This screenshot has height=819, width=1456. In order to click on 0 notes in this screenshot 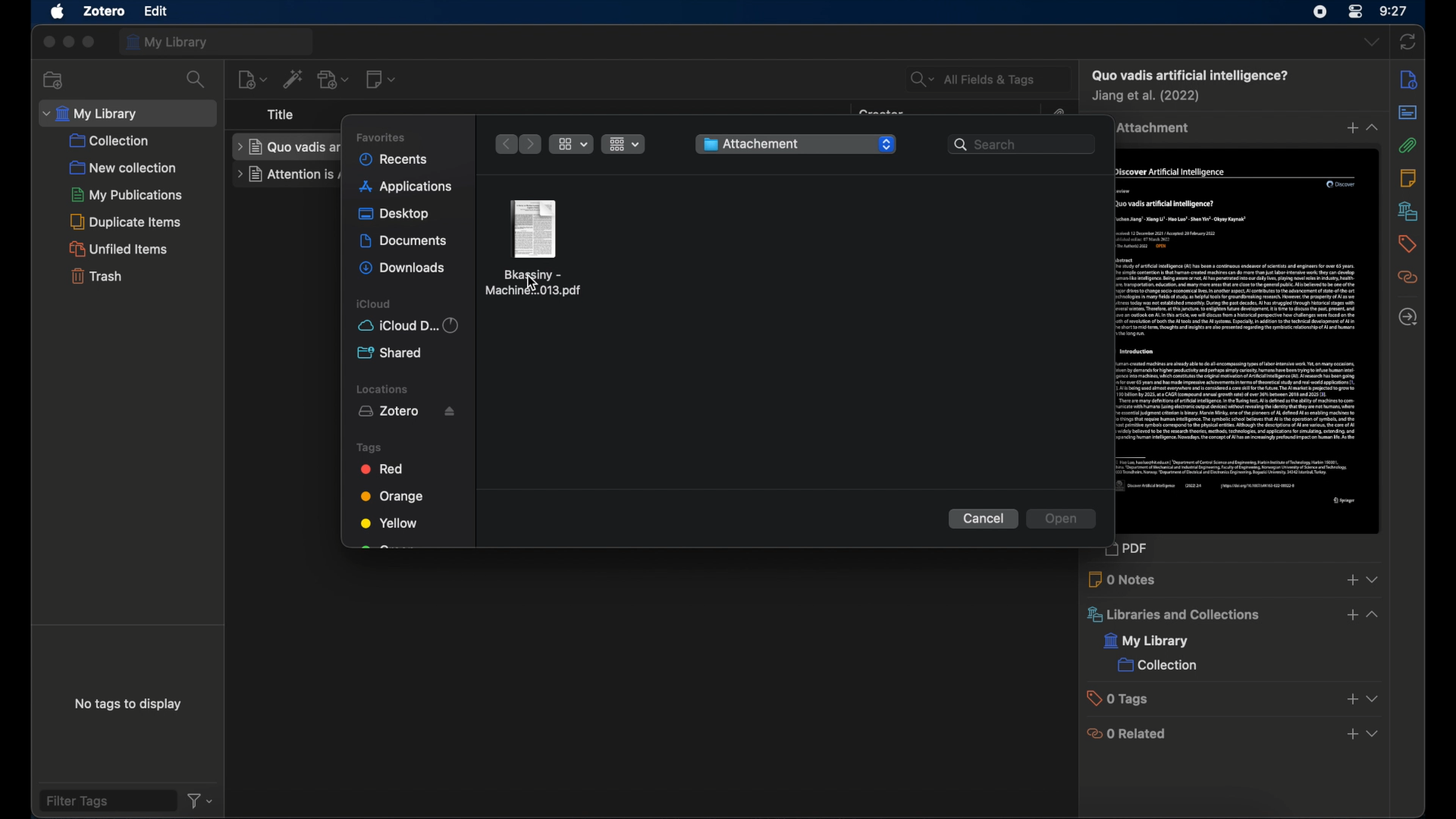, I will do `click(1124, 579)`.